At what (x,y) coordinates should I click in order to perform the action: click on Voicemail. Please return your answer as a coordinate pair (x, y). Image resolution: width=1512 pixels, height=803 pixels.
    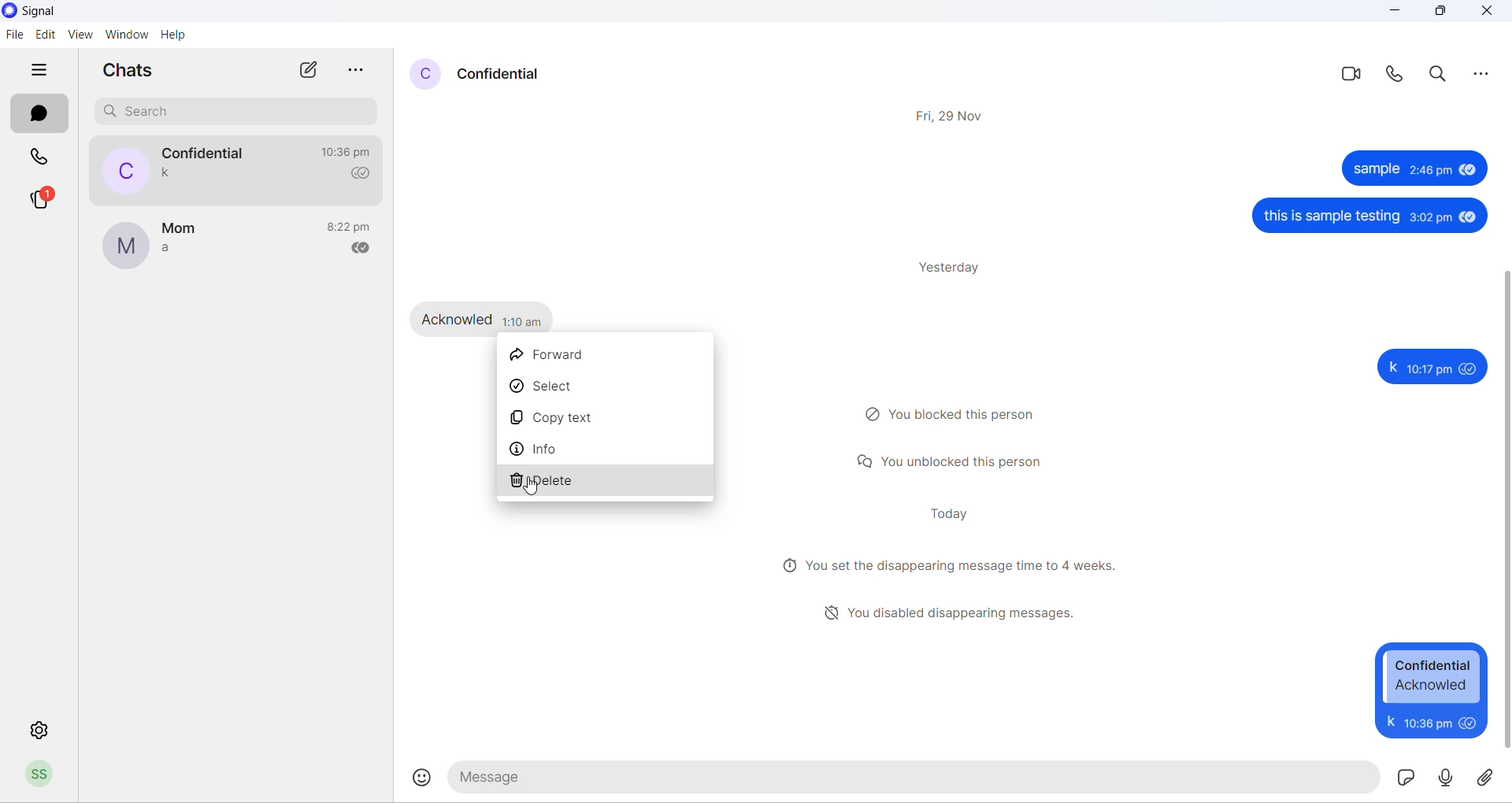
    Looking at the image, I should click on (1447, 776).